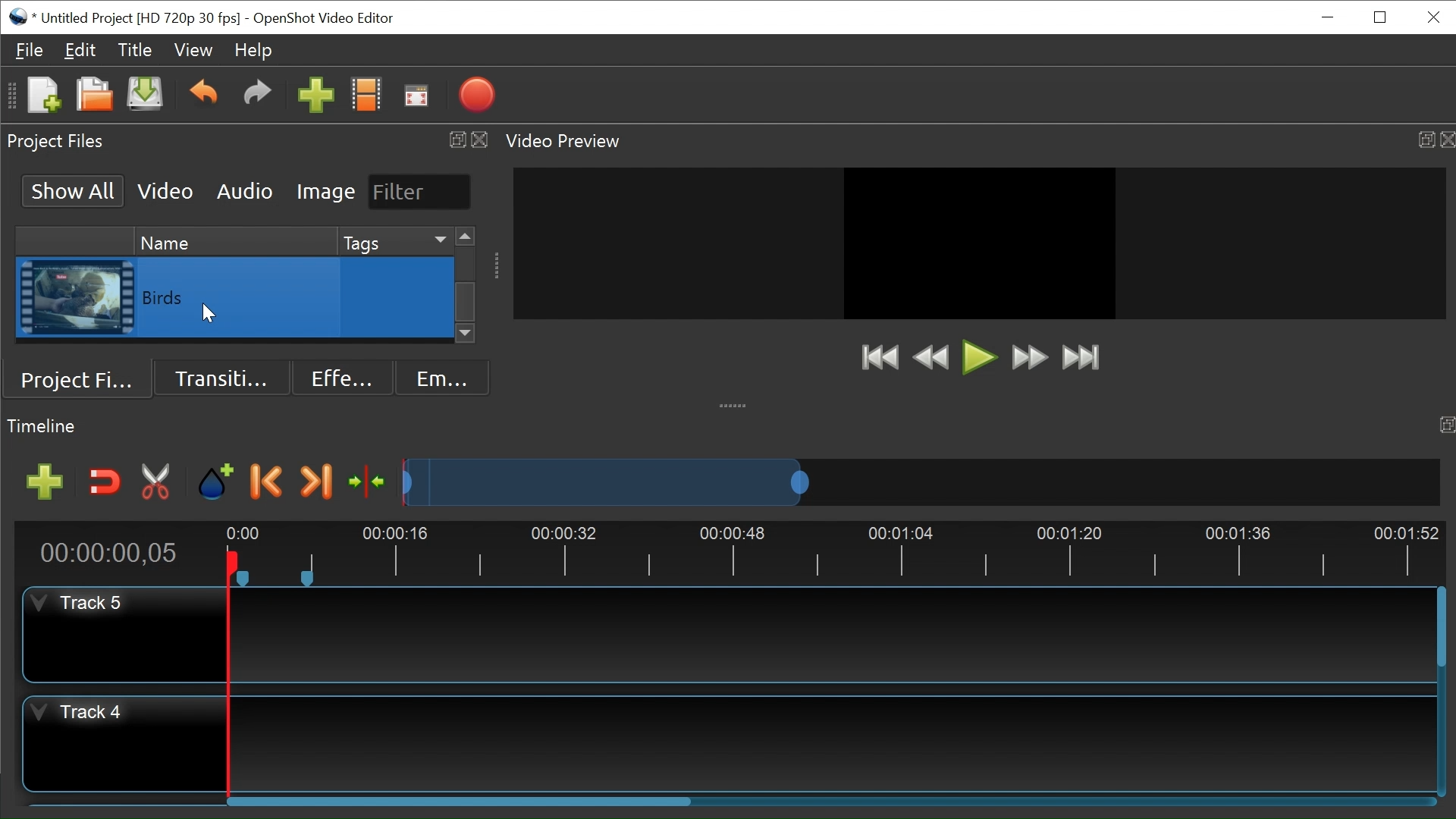 Image resolution: width=1456 pixels, height=819 pixels. I want to click on Horizontal Scroll bar, so click(462, 804).